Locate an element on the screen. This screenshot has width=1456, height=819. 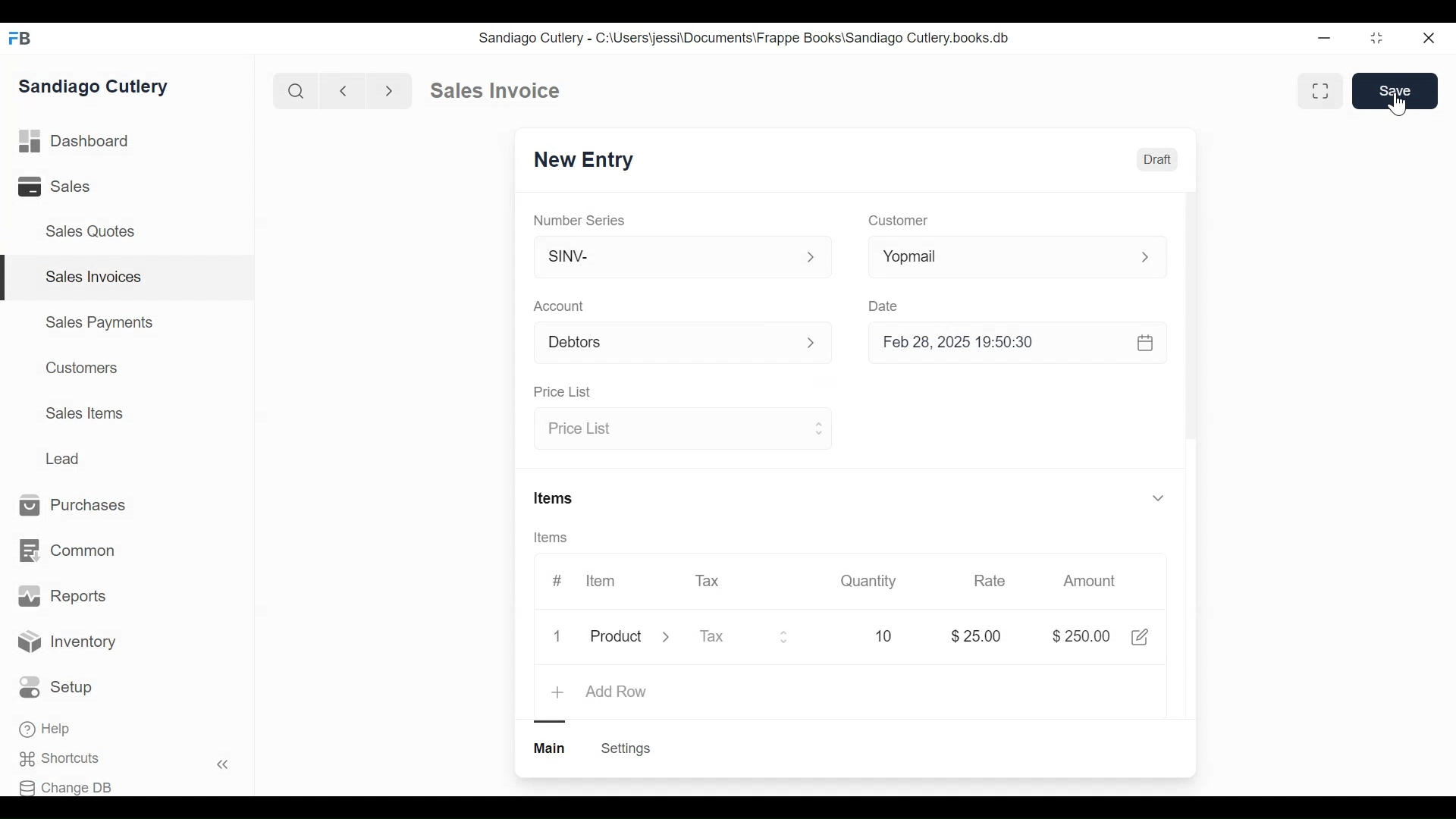
close is located at coordinates (1430, 39).